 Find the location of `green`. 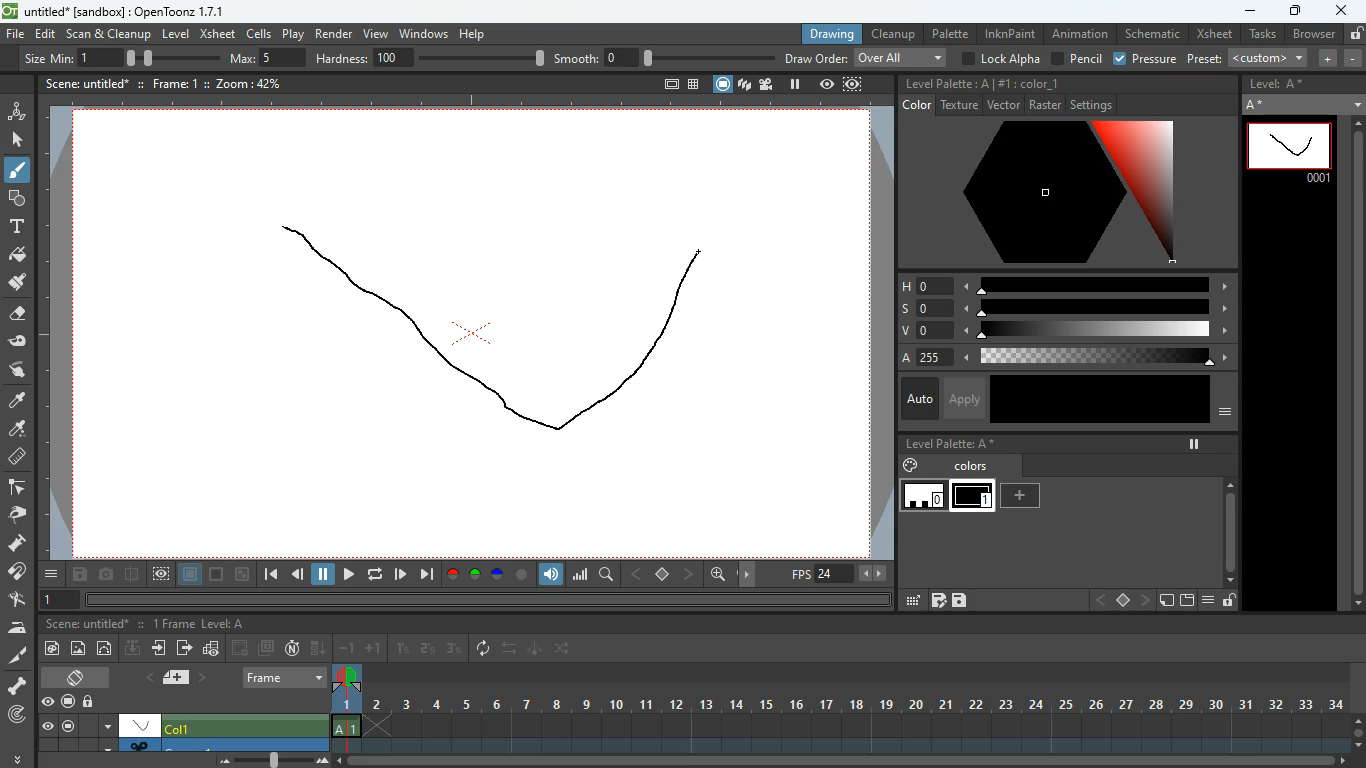

green is located at coordinates (475, 575).